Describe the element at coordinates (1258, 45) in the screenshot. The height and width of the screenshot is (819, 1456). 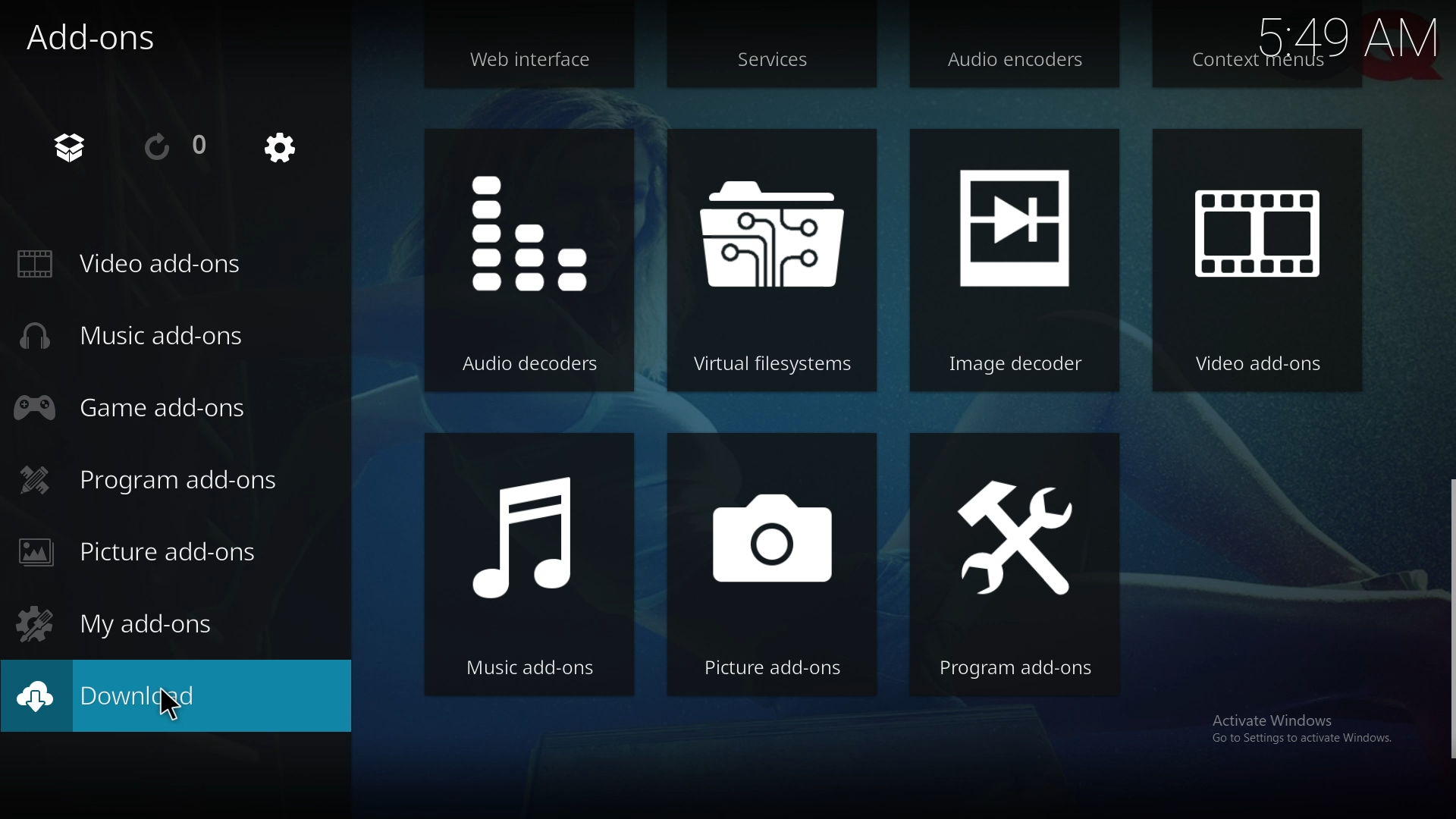
I see `context menus` at that location.